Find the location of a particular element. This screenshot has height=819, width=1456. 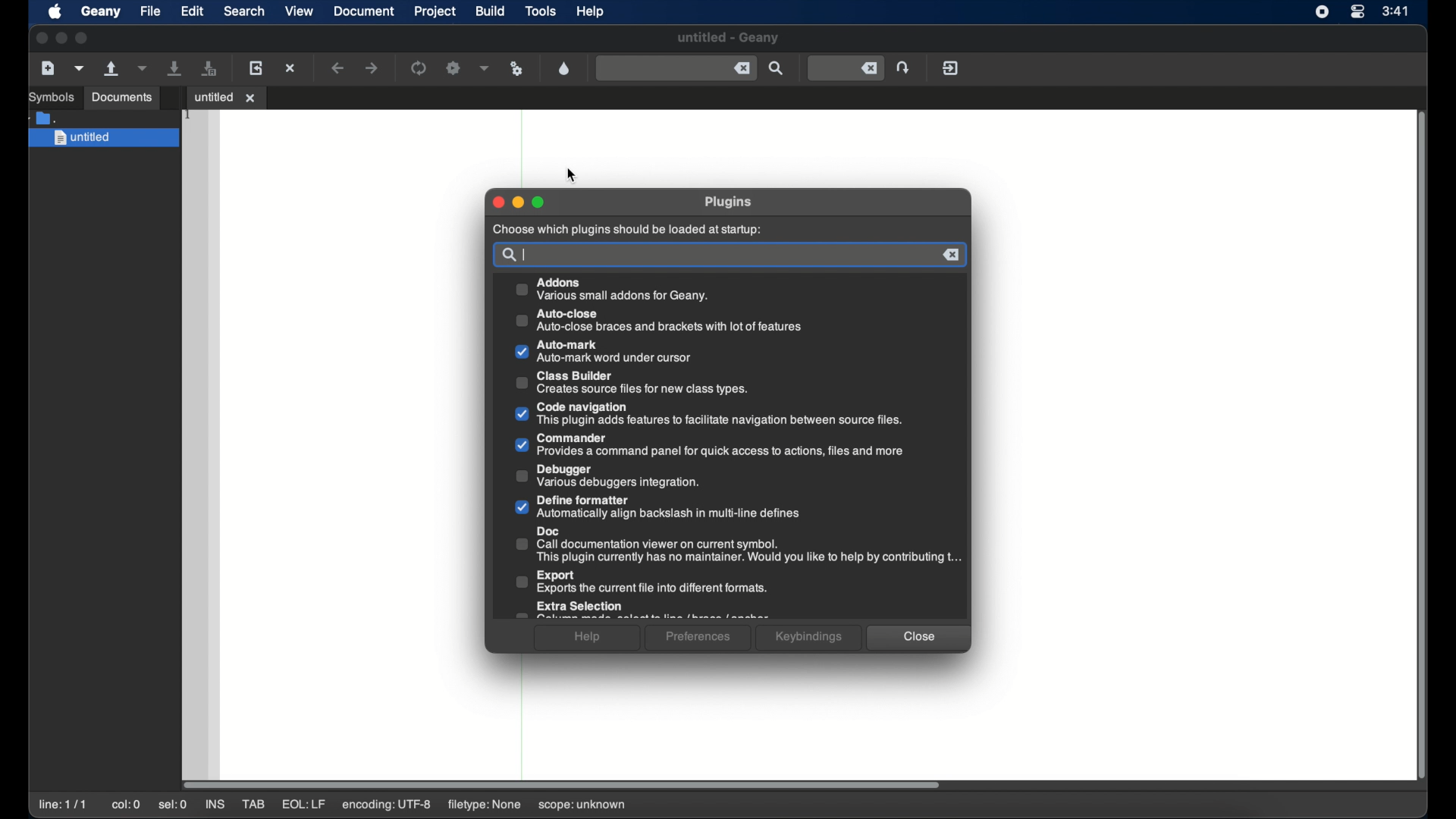

class builder is located at coordinates (631, 382).